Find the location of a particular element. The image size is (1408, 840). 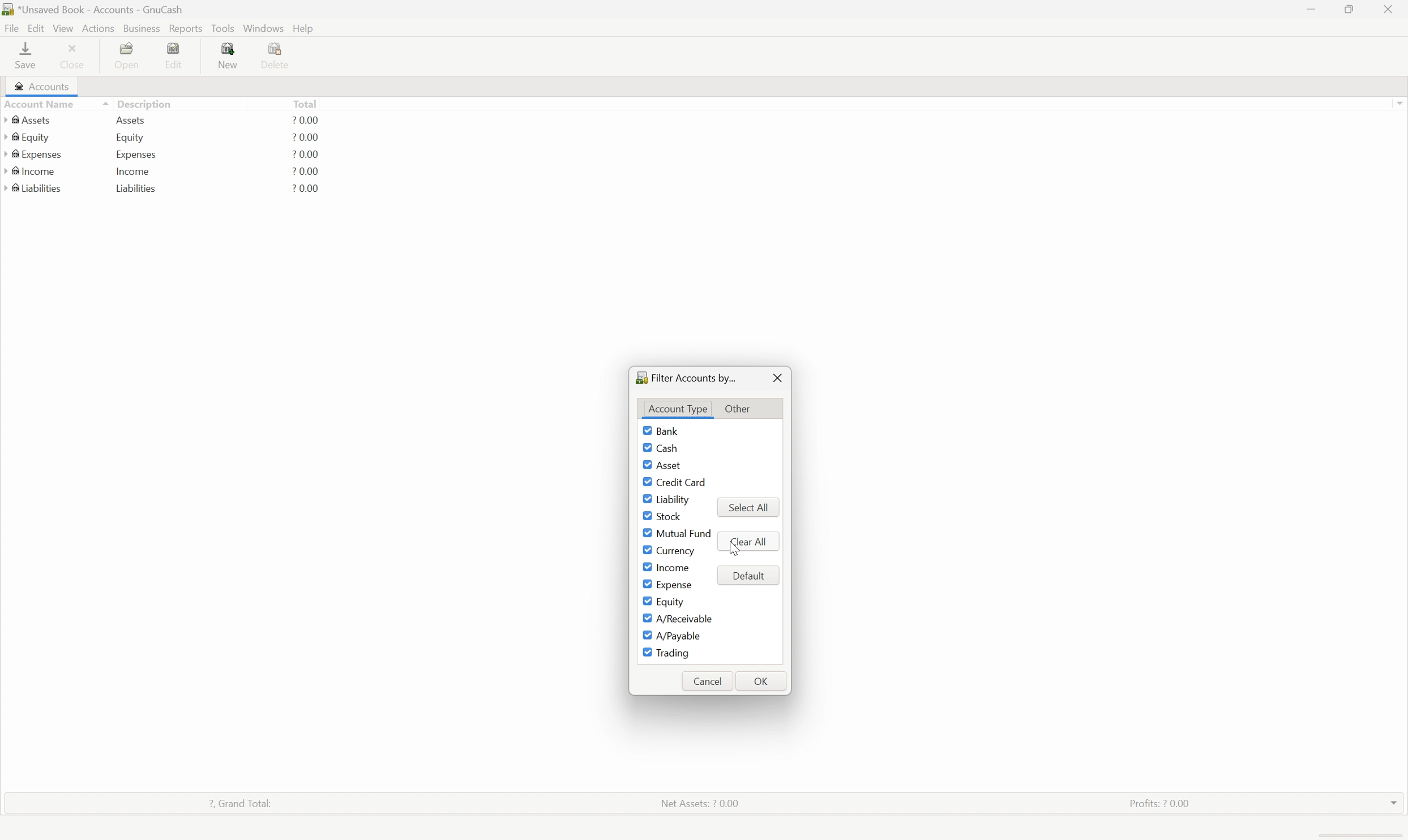

? 0.00 is located at coordinates (306, 188).